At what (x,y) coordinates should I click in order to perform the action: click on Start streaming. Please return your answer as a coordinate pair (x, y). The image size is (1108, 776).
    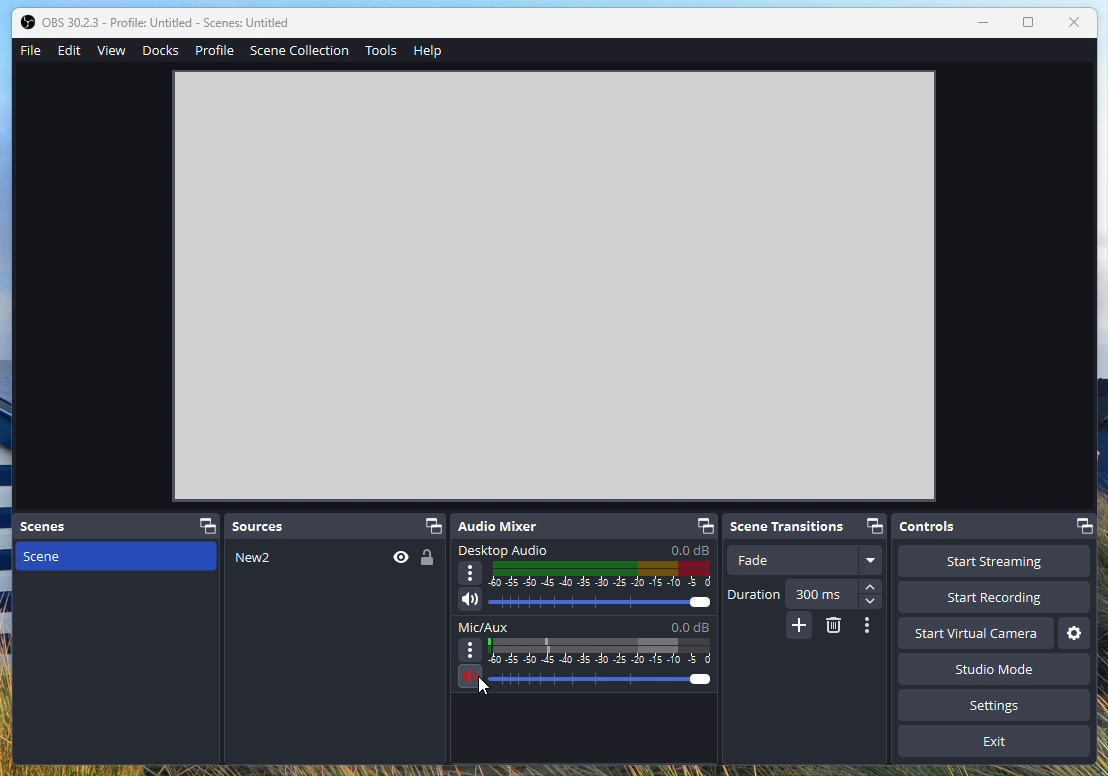
    Looking at the image, I should click on (994, 561).